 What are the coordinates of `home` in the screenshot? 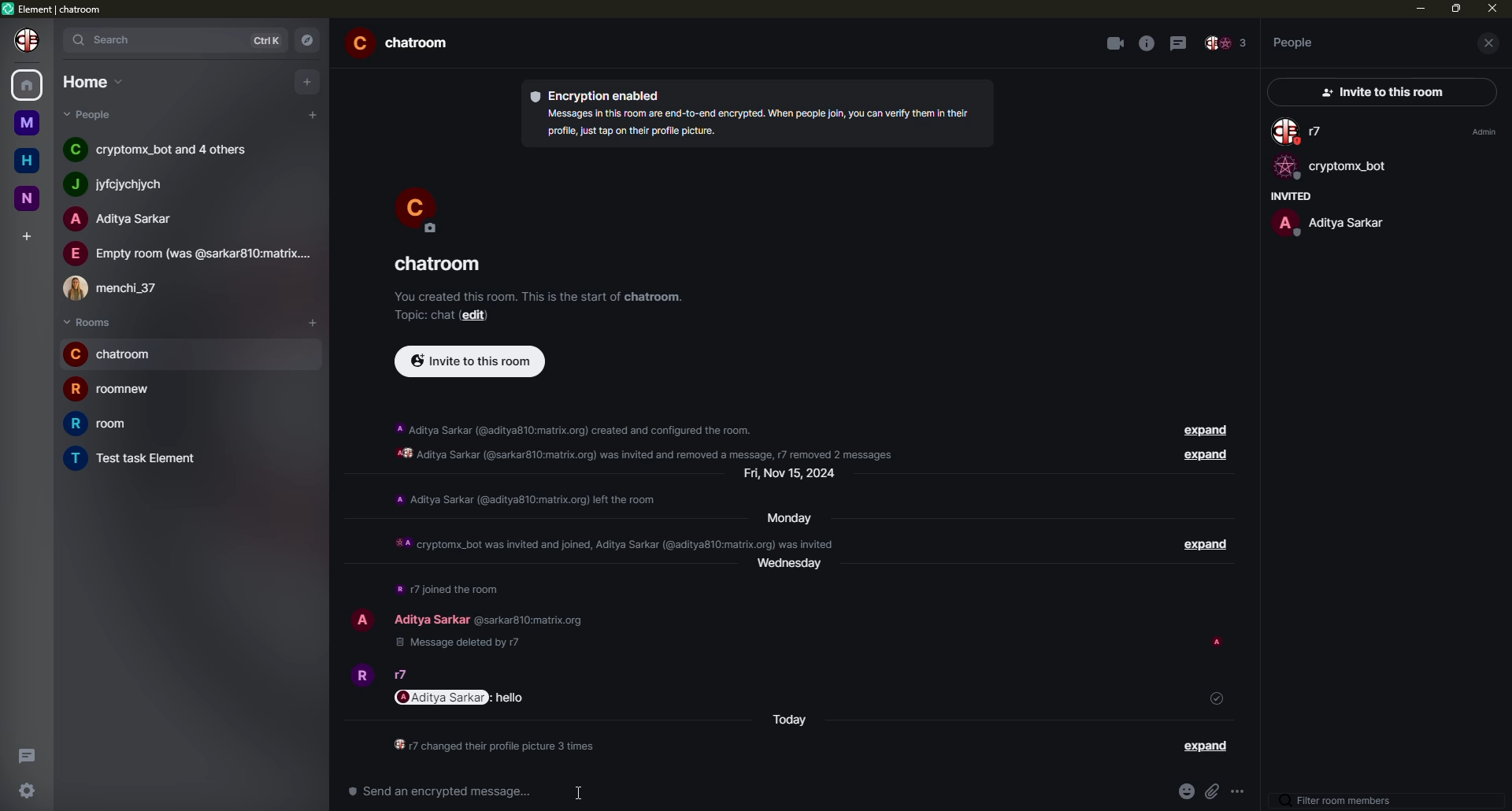 It's located at (28, 83).